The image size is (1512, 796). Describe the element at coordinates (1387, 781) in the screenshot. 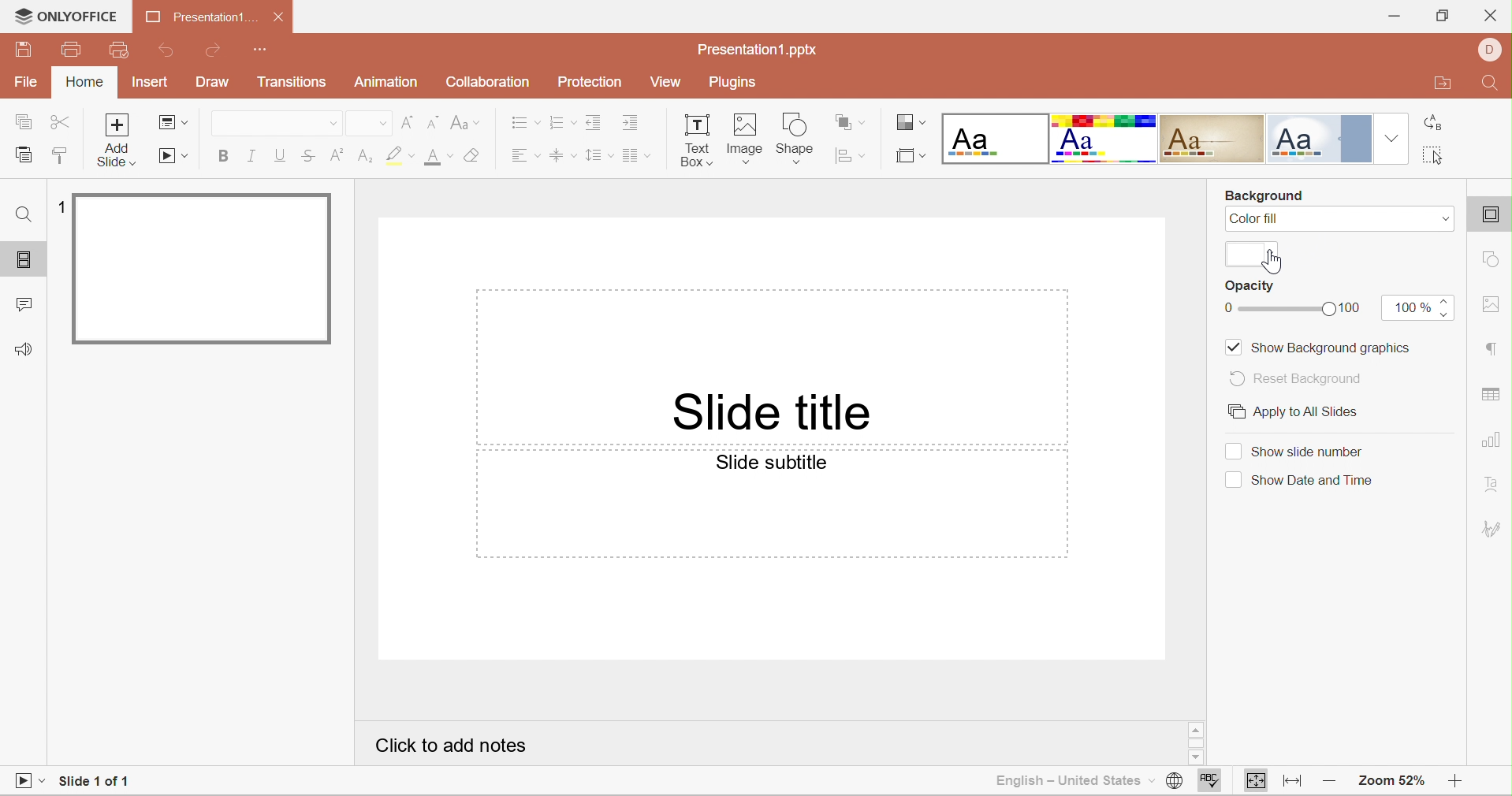

I see `Zoom 52%` at that location.